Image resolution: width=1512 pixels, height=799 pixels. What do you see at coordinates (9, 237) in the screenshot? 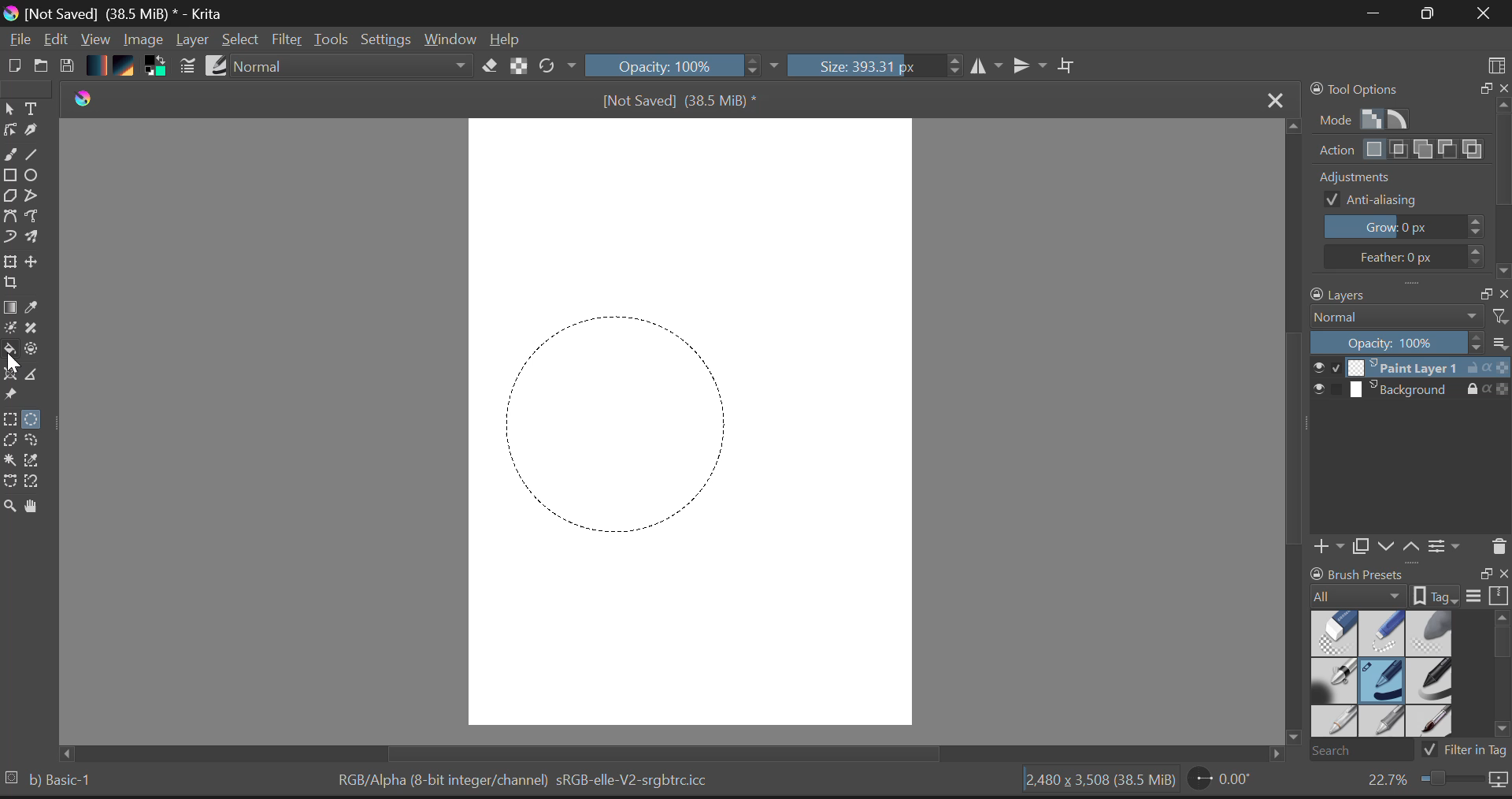
I see `Dynamic Brush Tool` at bounding box center [9, 237].